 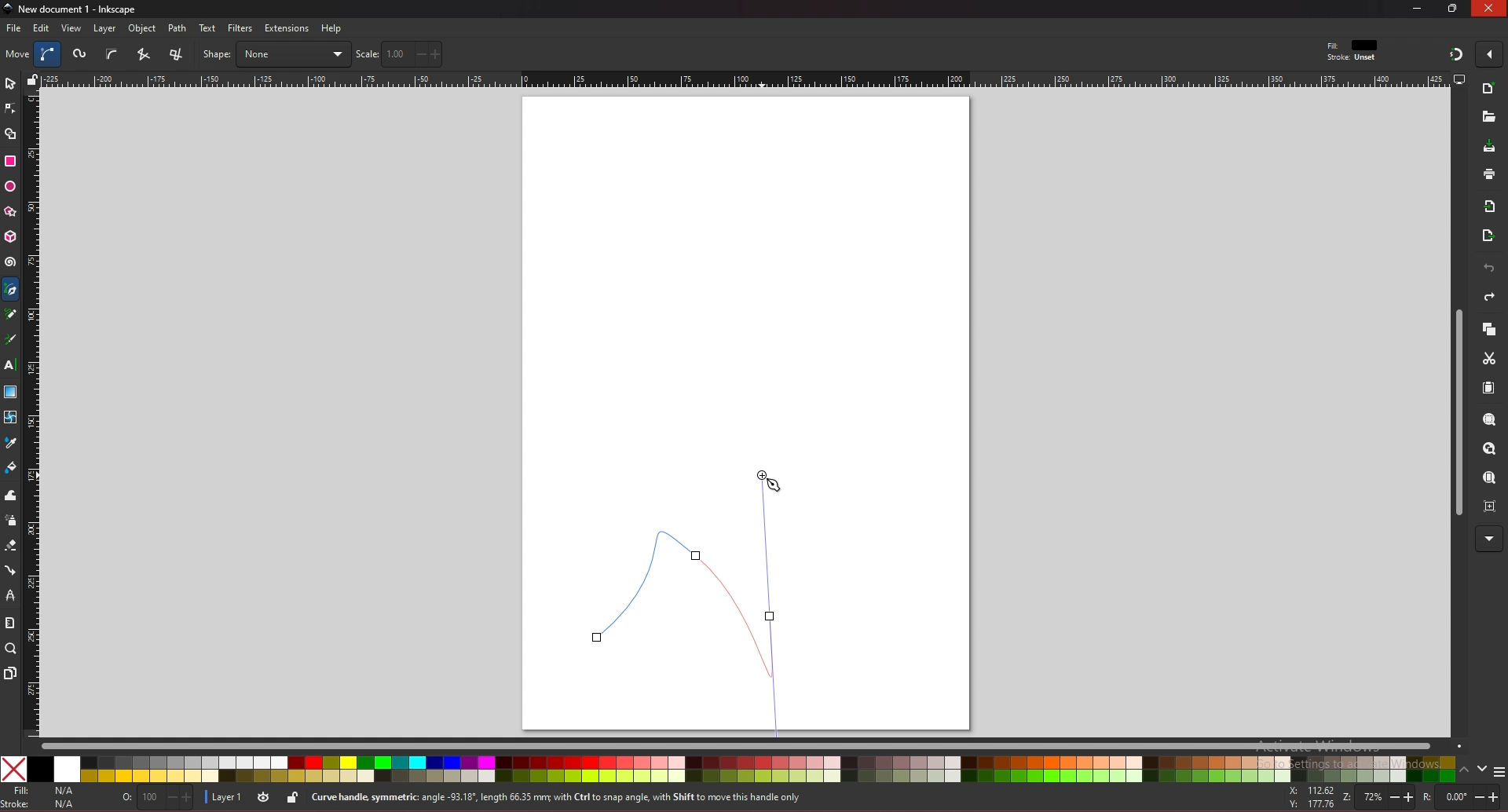 What do you see at coordinates (1492, 505) in the screenshot?
I see `zoom centre page` at bounding box center [1492, 505].